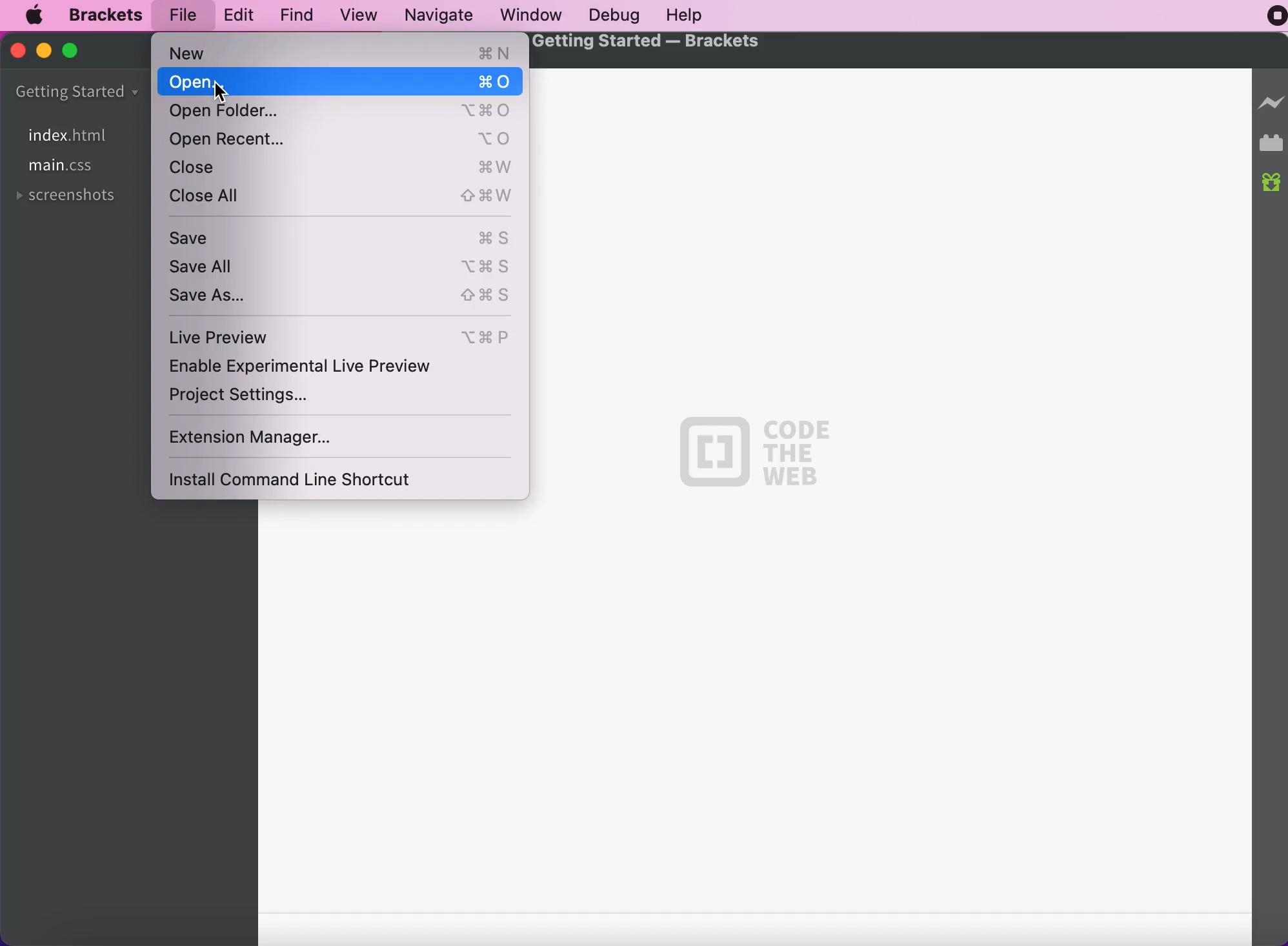 Image resolution: width=1288 pixels, height=946 pixels. I want to click on minimize, so click(45, 54).